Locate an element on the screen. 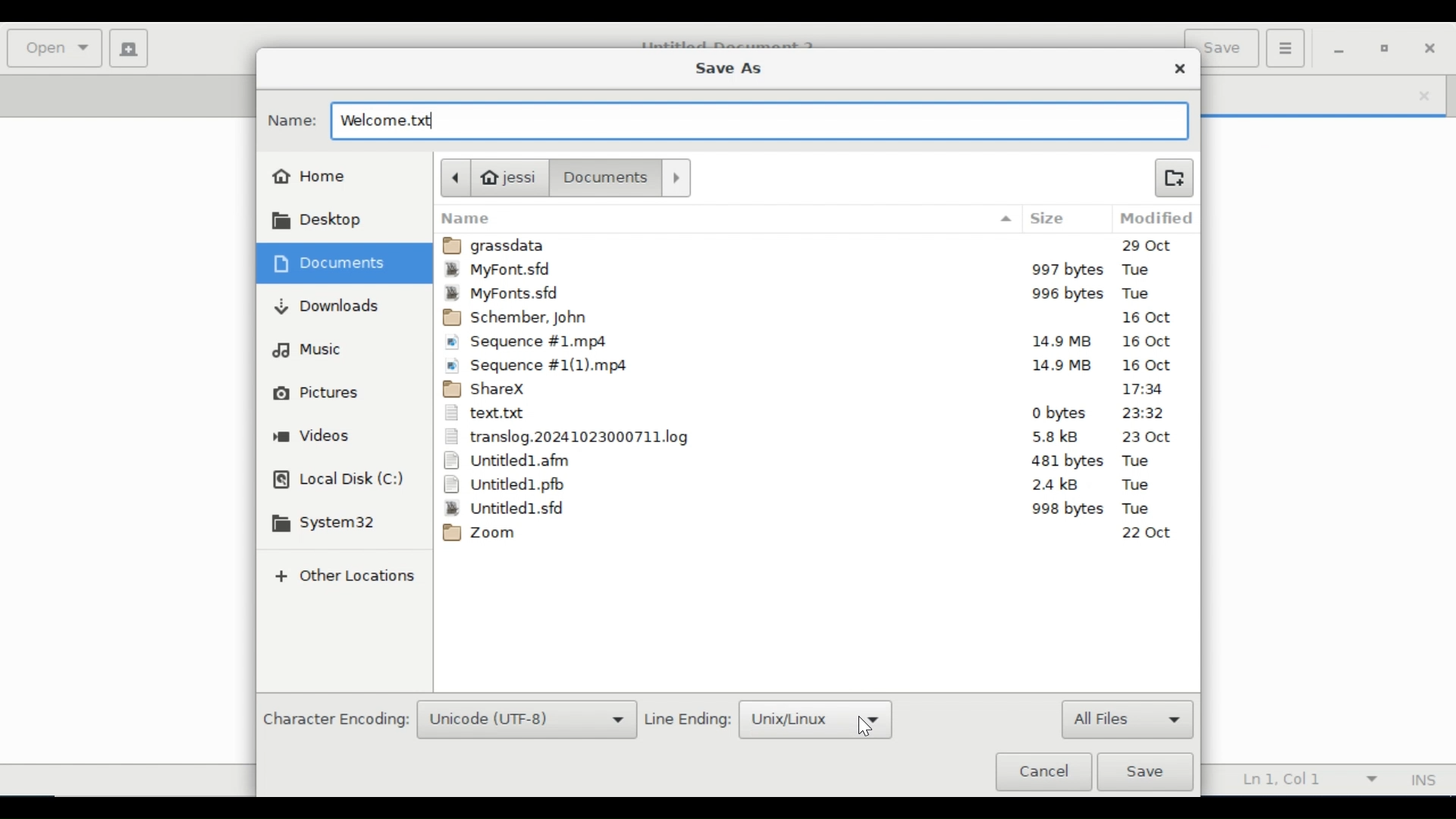 The image size is (1456, 819). Welcome.txt is located at coordinates (403, 121).